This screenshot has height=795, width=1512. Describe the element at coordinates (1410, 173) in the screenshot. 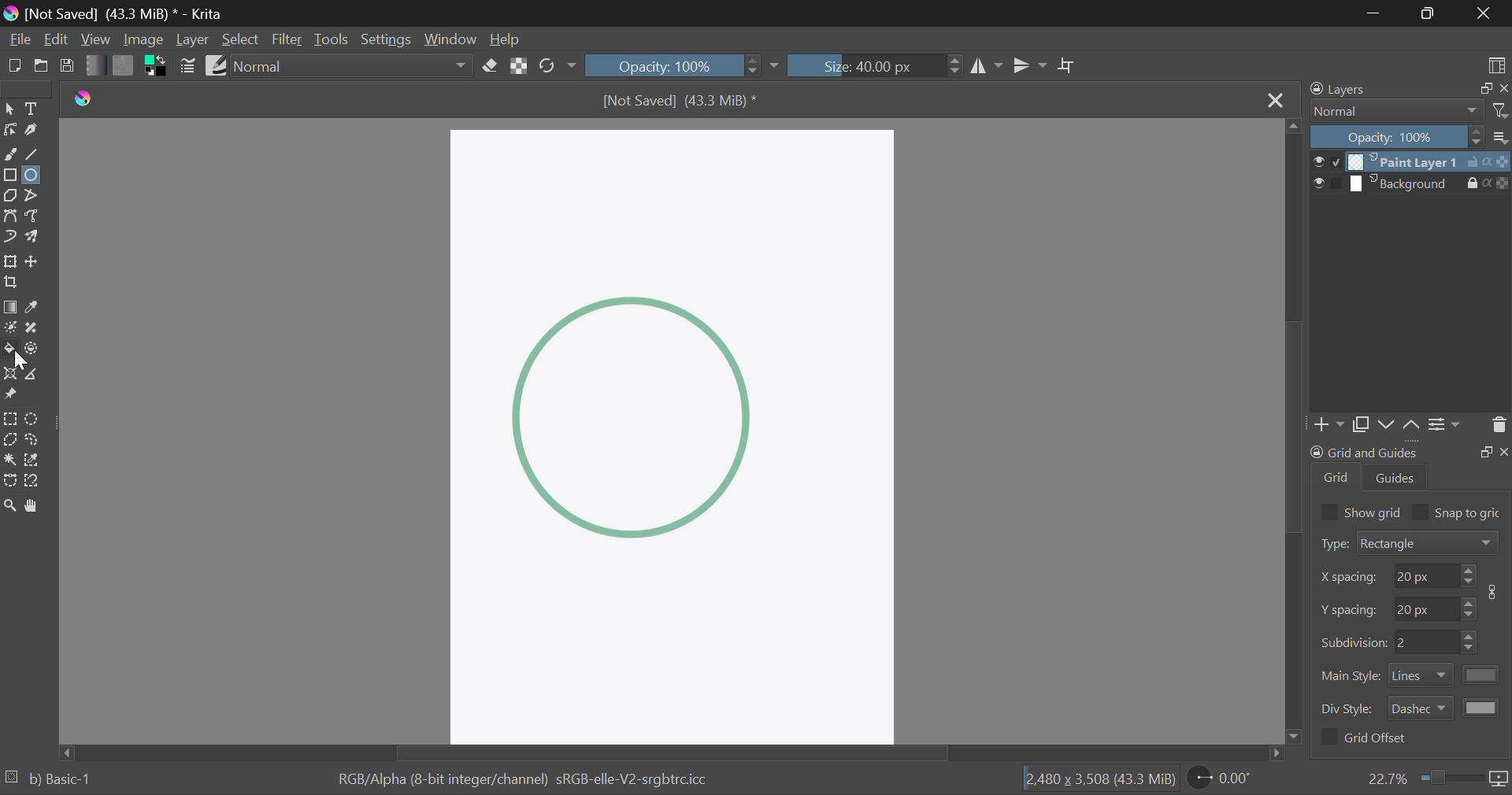

I see `Layers` at that location.